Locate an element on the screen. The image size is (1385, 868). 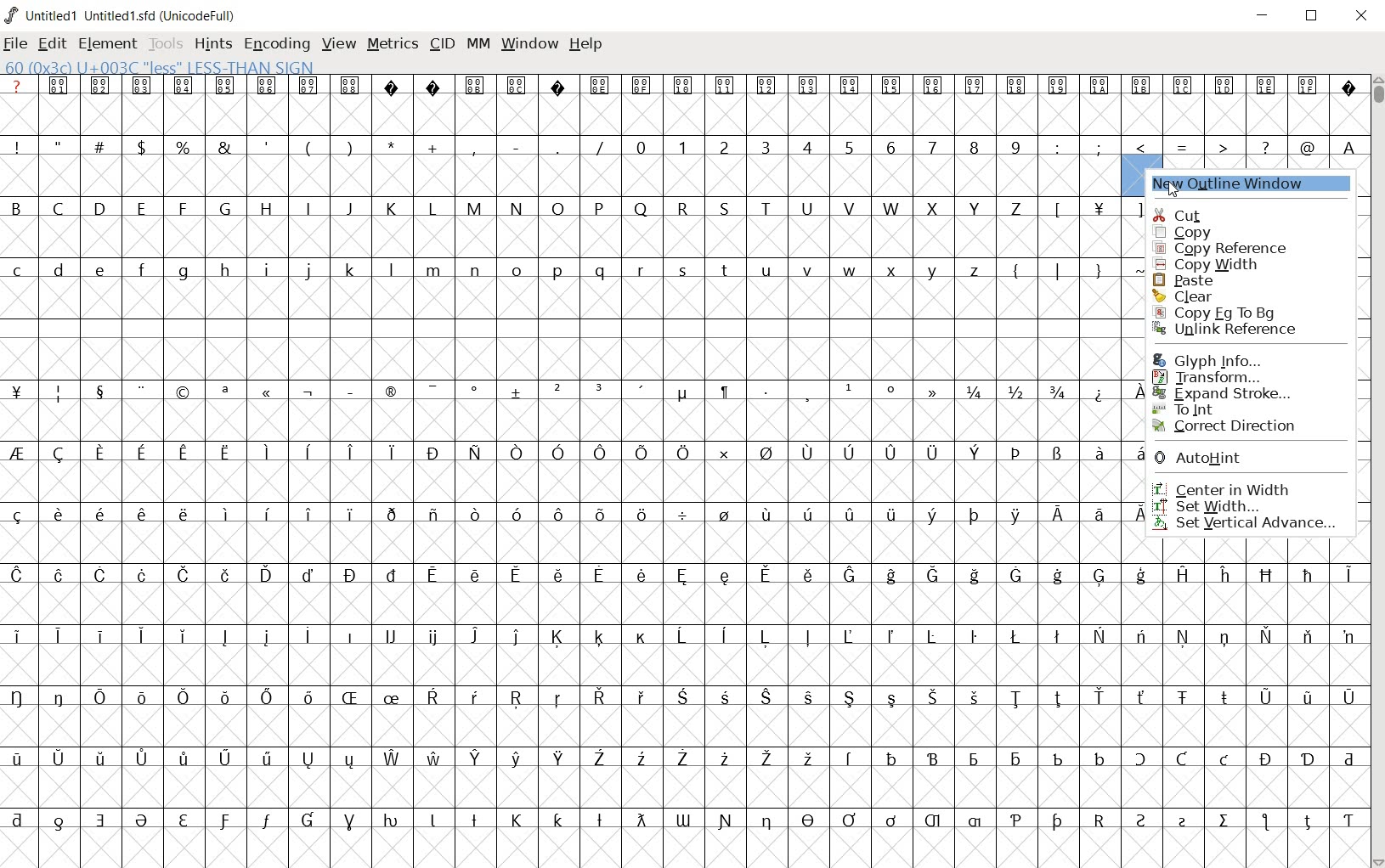
Unlink Reference is located at coordinates (1233, 327).